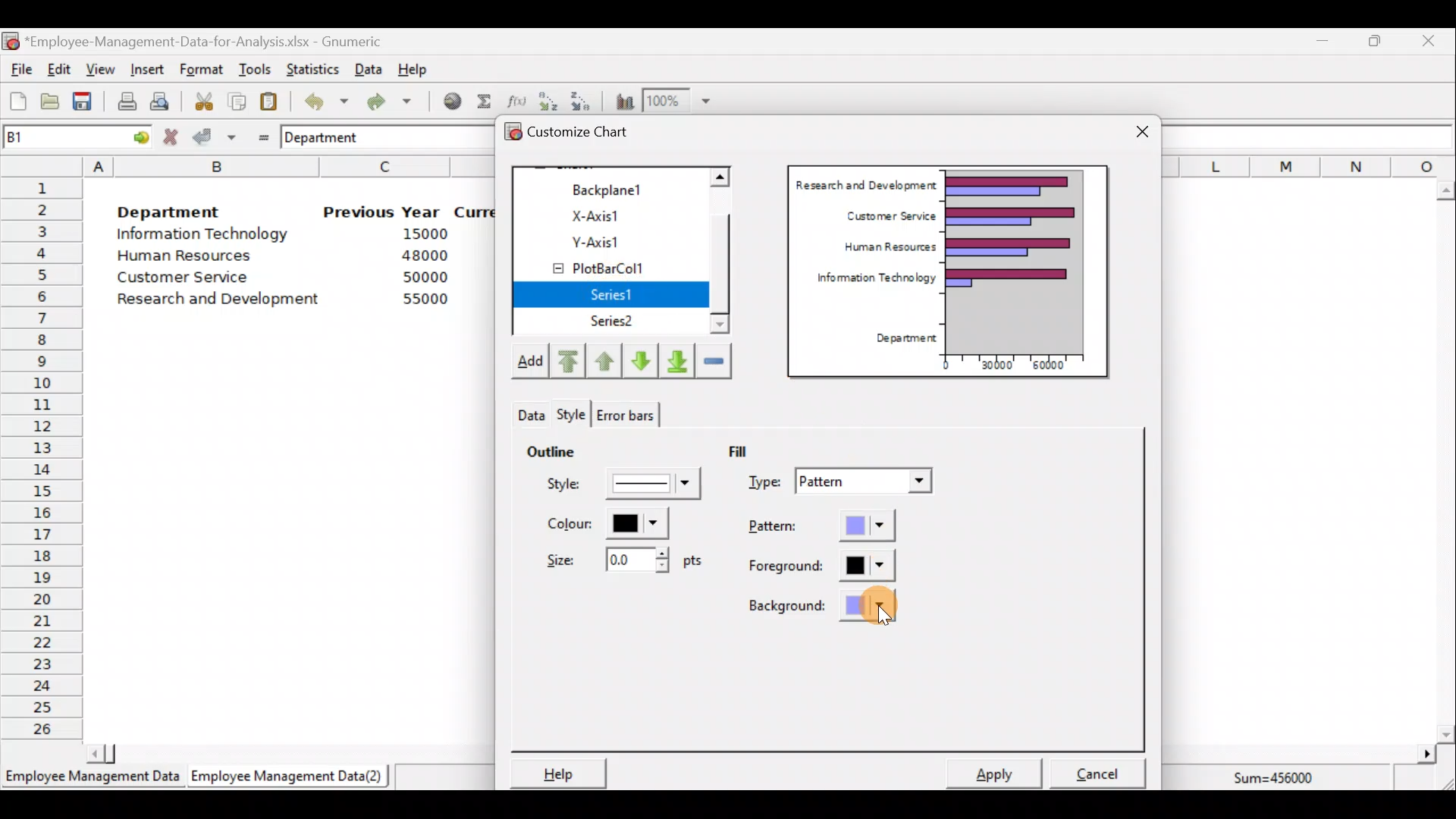 The width and height of the screenshot is (1456, 819). What do you see at coordinates (318, 98) in the screenshot?
I see `Undo last action` at bounding box center [318, 98].